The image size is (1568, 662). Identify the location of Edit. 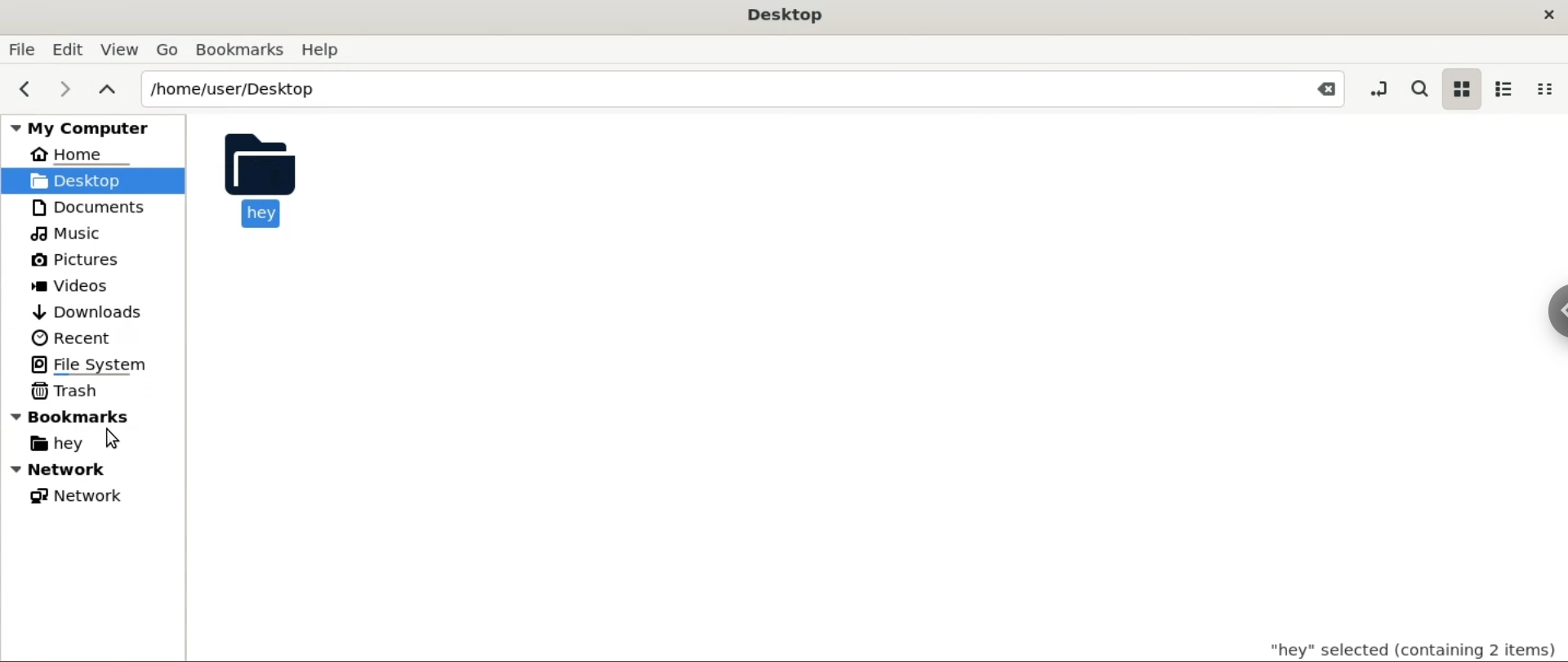
(69, 47).